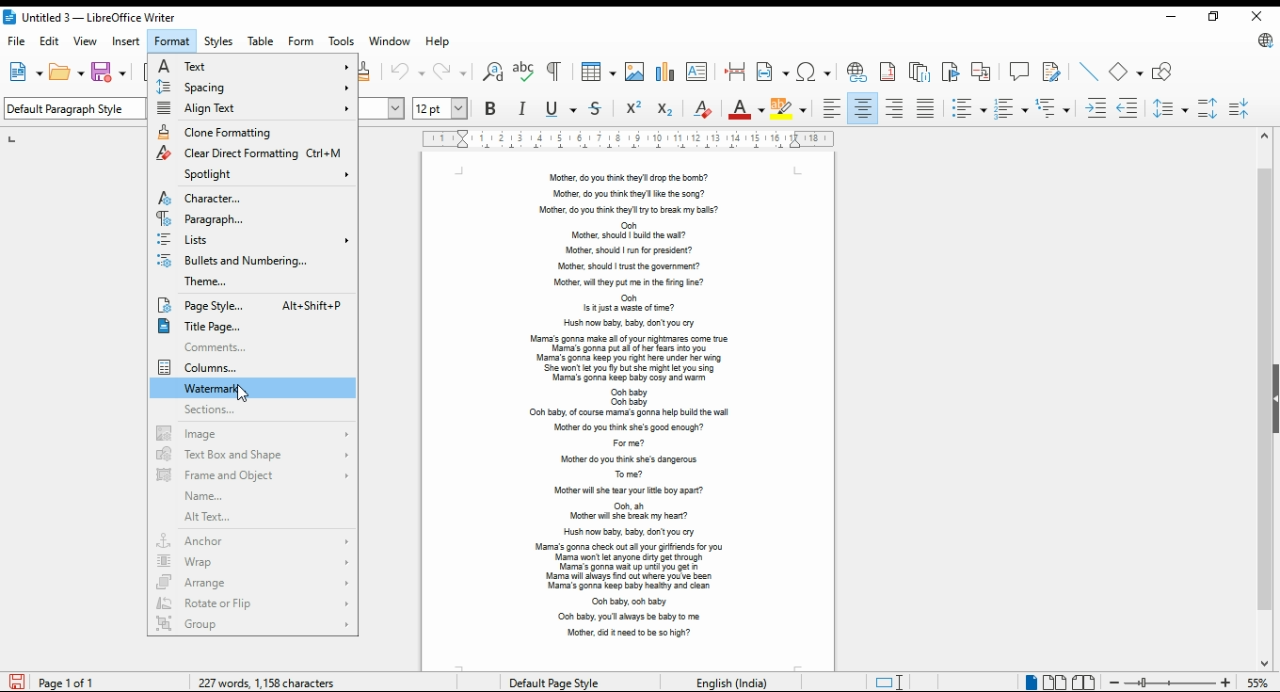 Image resolution: width=1280 pixels, height=692 pixels. Describe the element at coordinates (667, 72) in the screenshot. I see `insert chart` at that location.